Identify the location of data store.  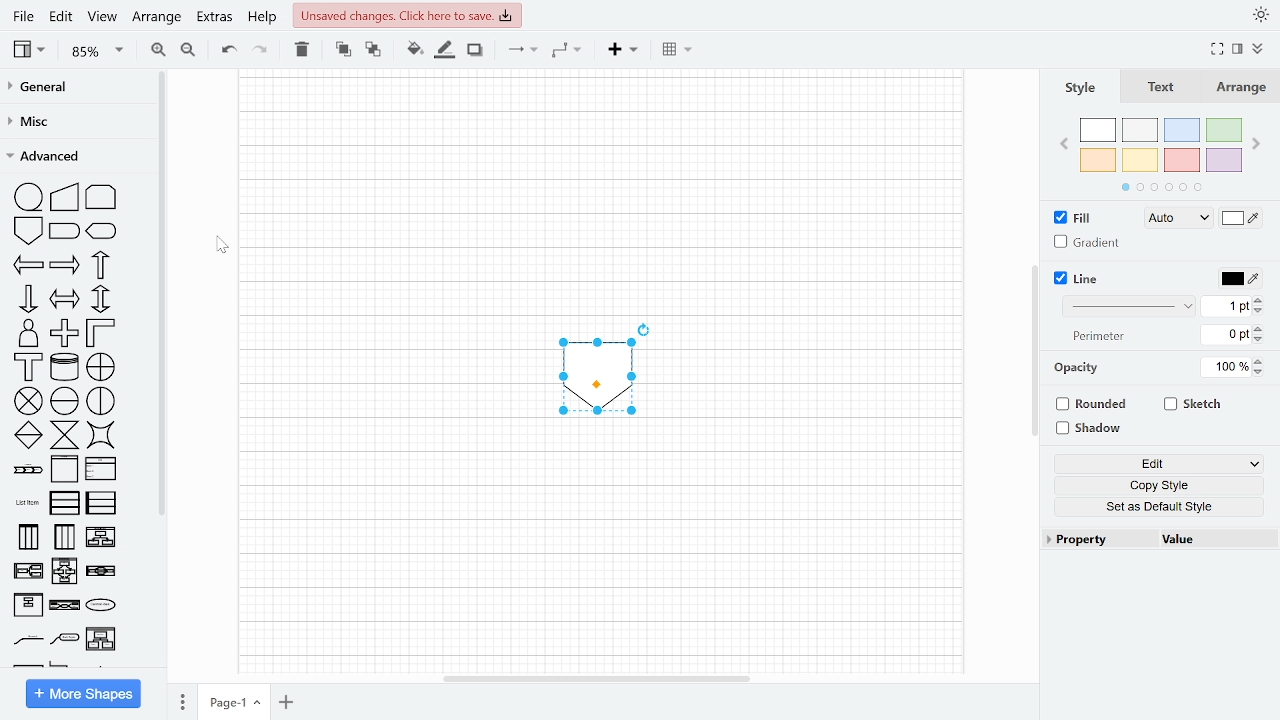
(66, 367).